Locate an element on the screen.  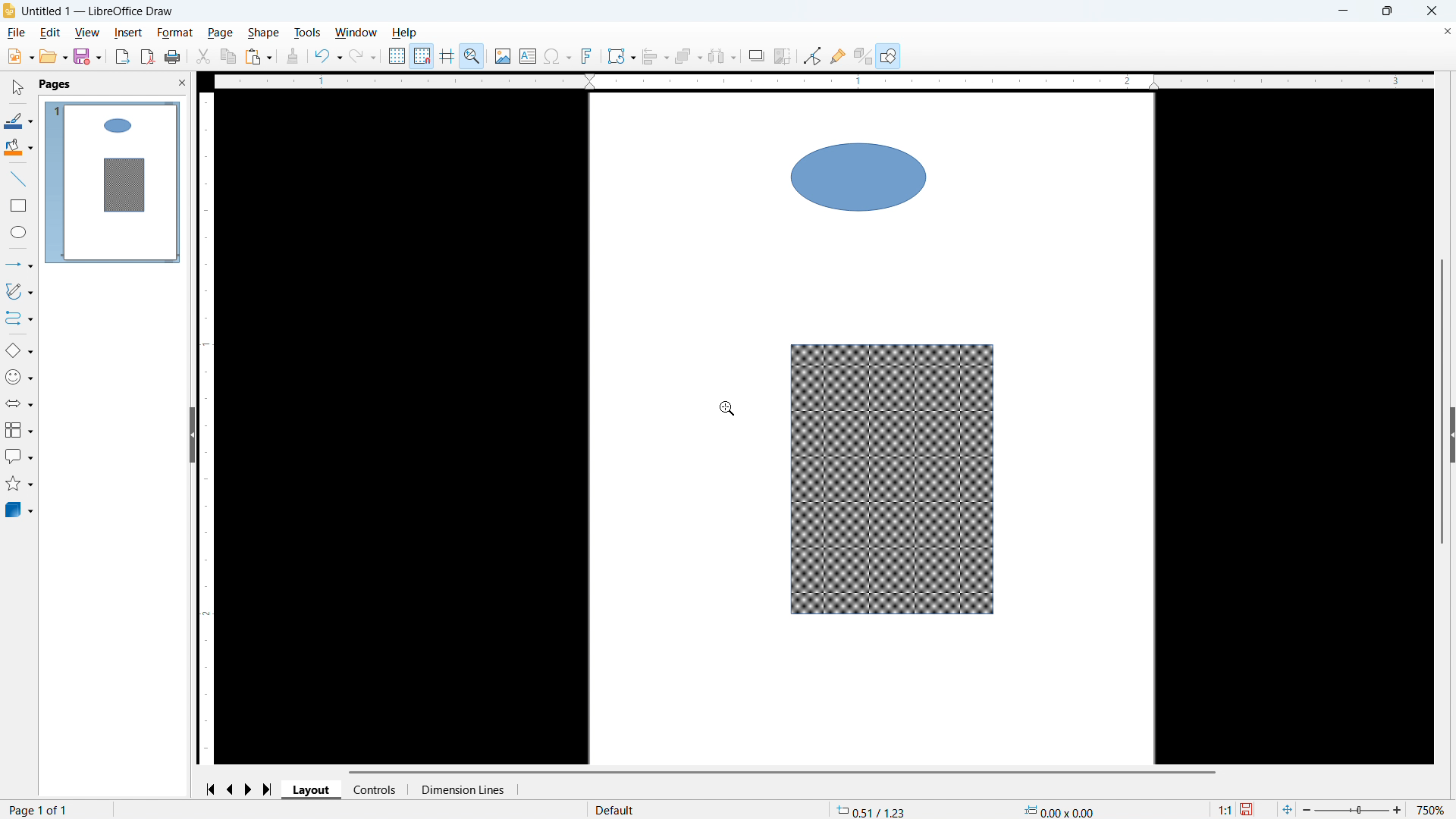
Hide panel  is located at coordinates (191, 434).